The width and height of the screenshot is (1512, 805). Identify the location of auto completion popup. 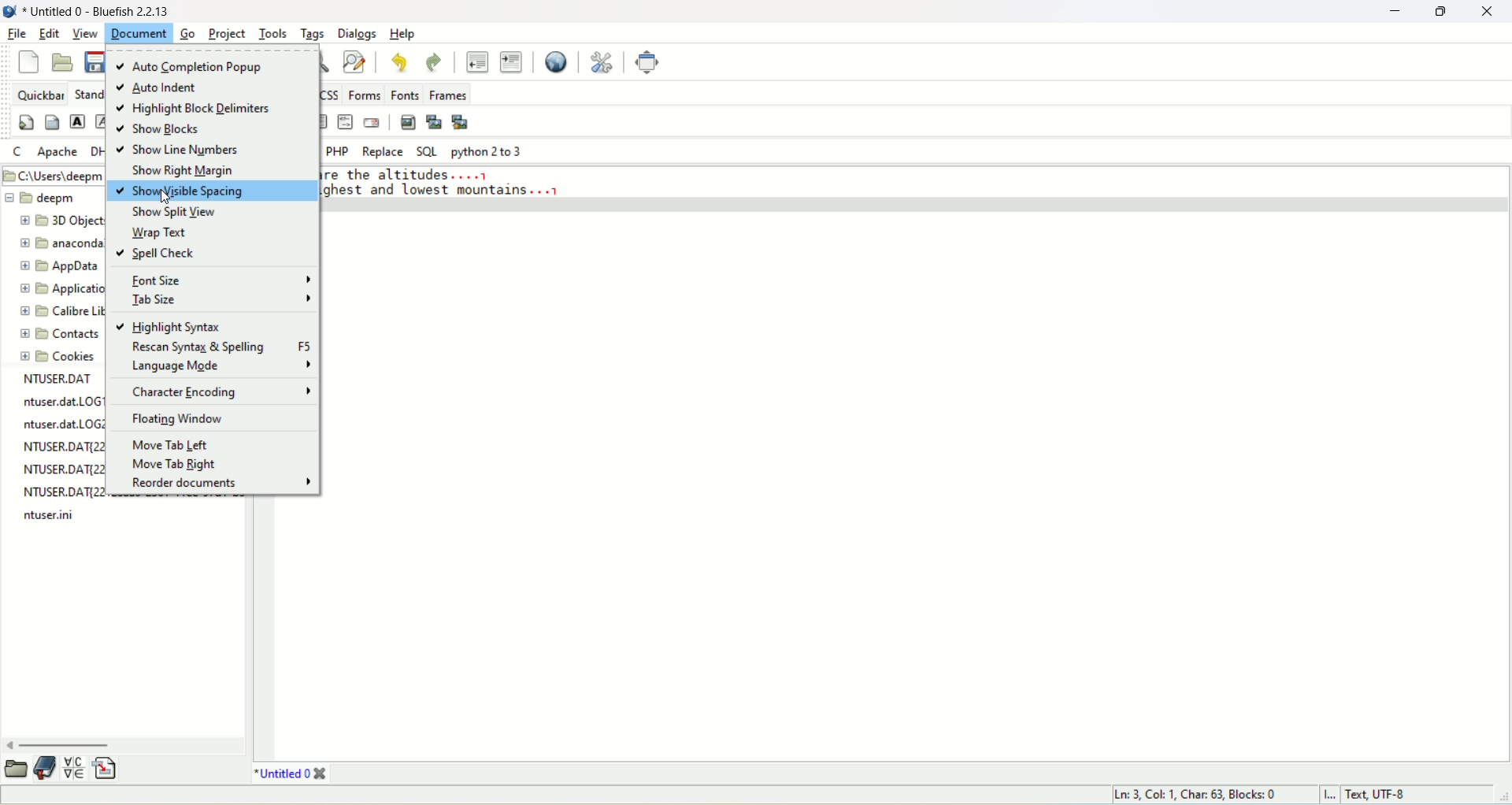
(191, 67).